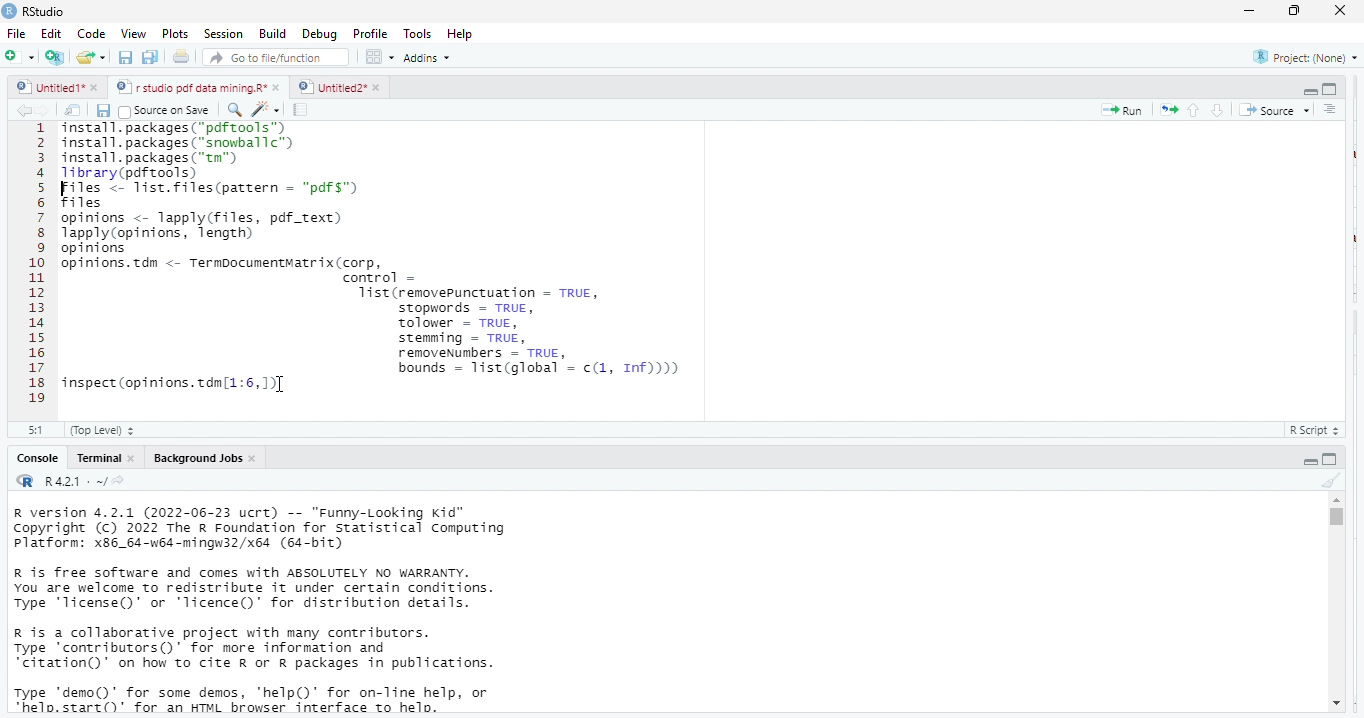  What do you see at coordinates (432, 57) in the screenshot?
I see `addins` at bounding box center [432, 57].